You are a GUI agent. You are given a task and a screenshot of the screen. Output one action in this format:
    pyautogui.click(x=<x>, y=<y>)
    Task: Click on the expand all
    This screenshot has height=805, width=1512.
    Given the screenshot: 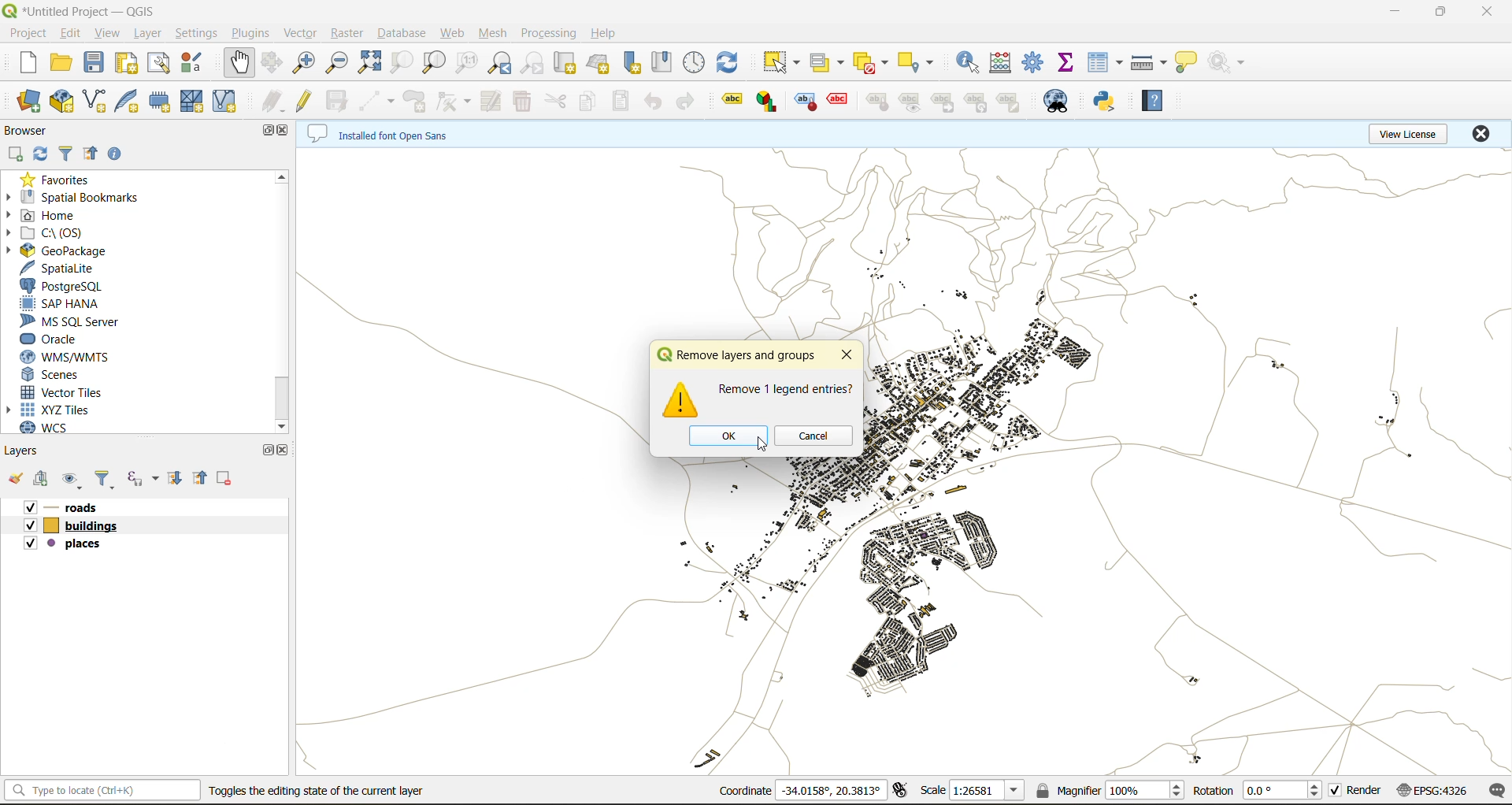 What is the action you would take?
    pyautogui.click(x=179, y=479)
    